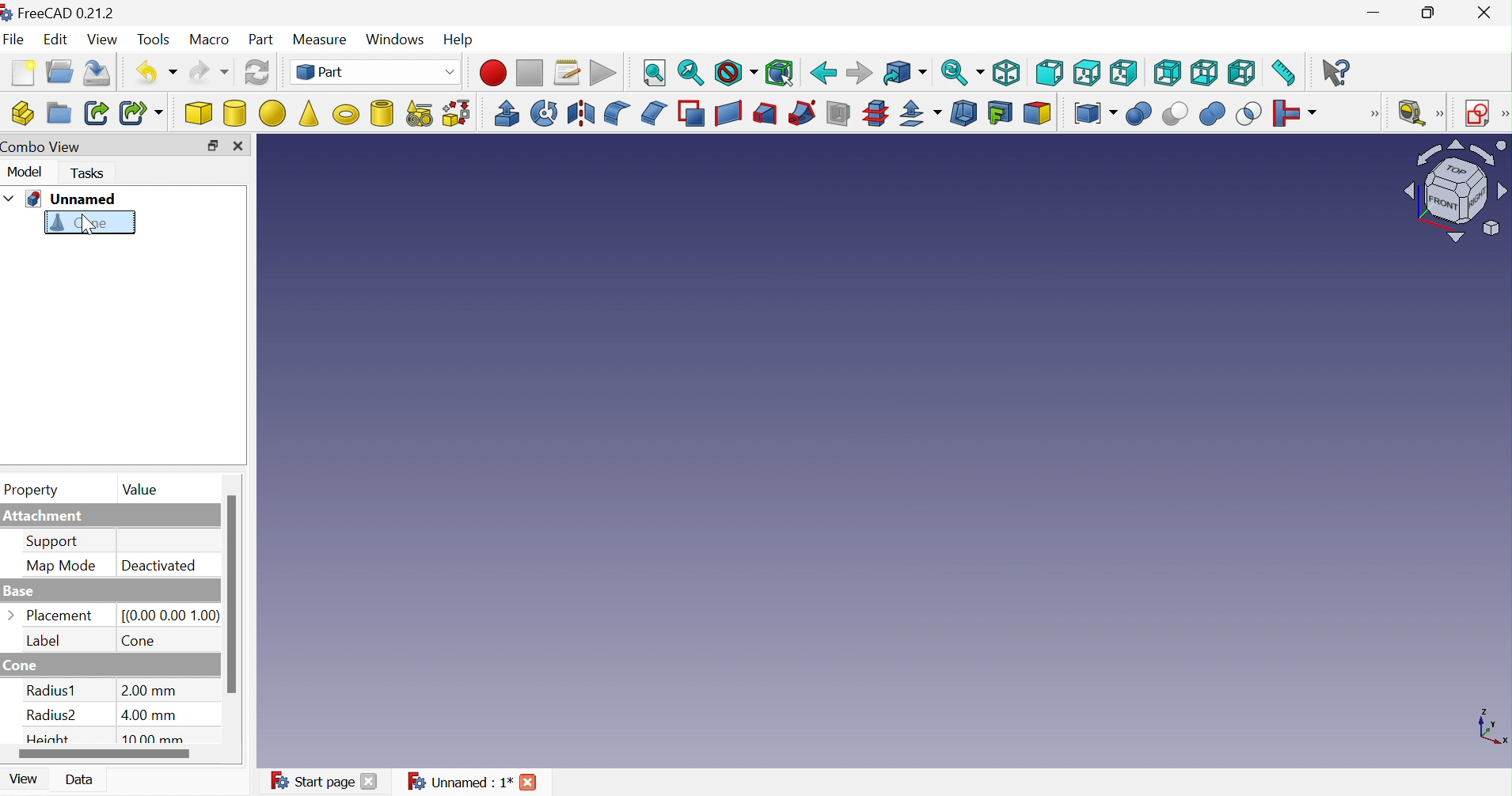  What do you see at coordinates (602, 74) in the screenshot?
I see `Execute macro` at bounding box center [602, 74].